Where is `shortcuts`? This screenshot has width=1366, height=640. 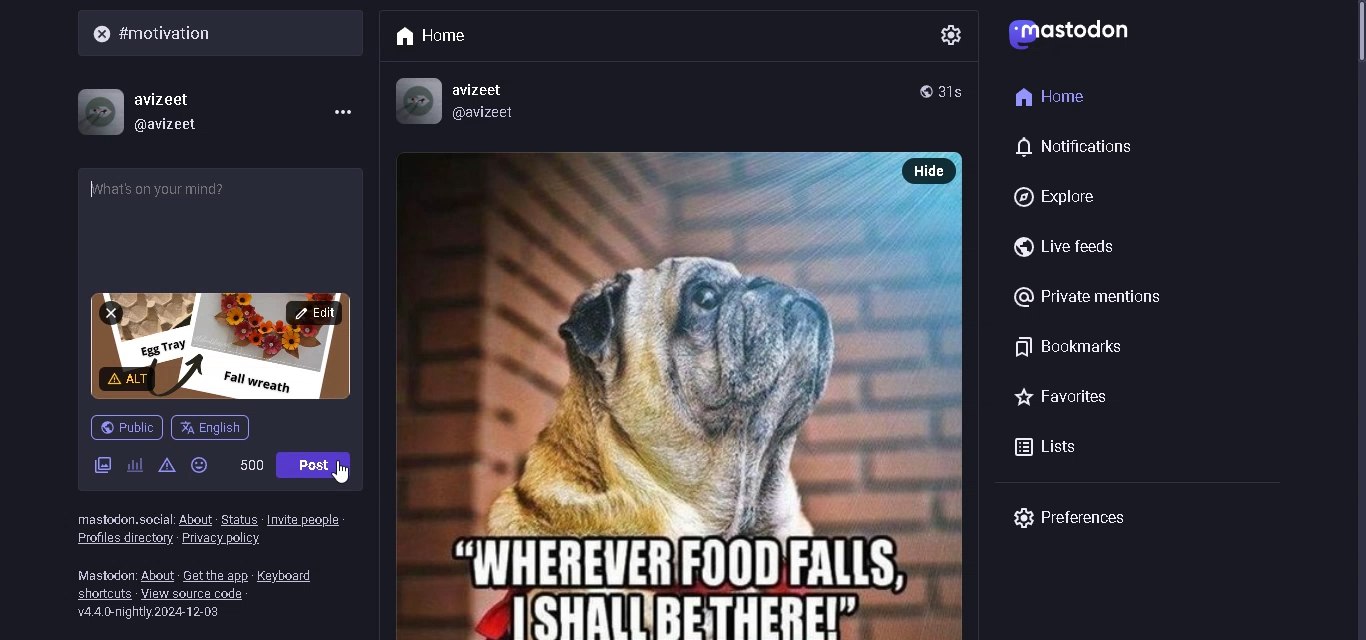 shortcuts is located at coordinates (103, 595).